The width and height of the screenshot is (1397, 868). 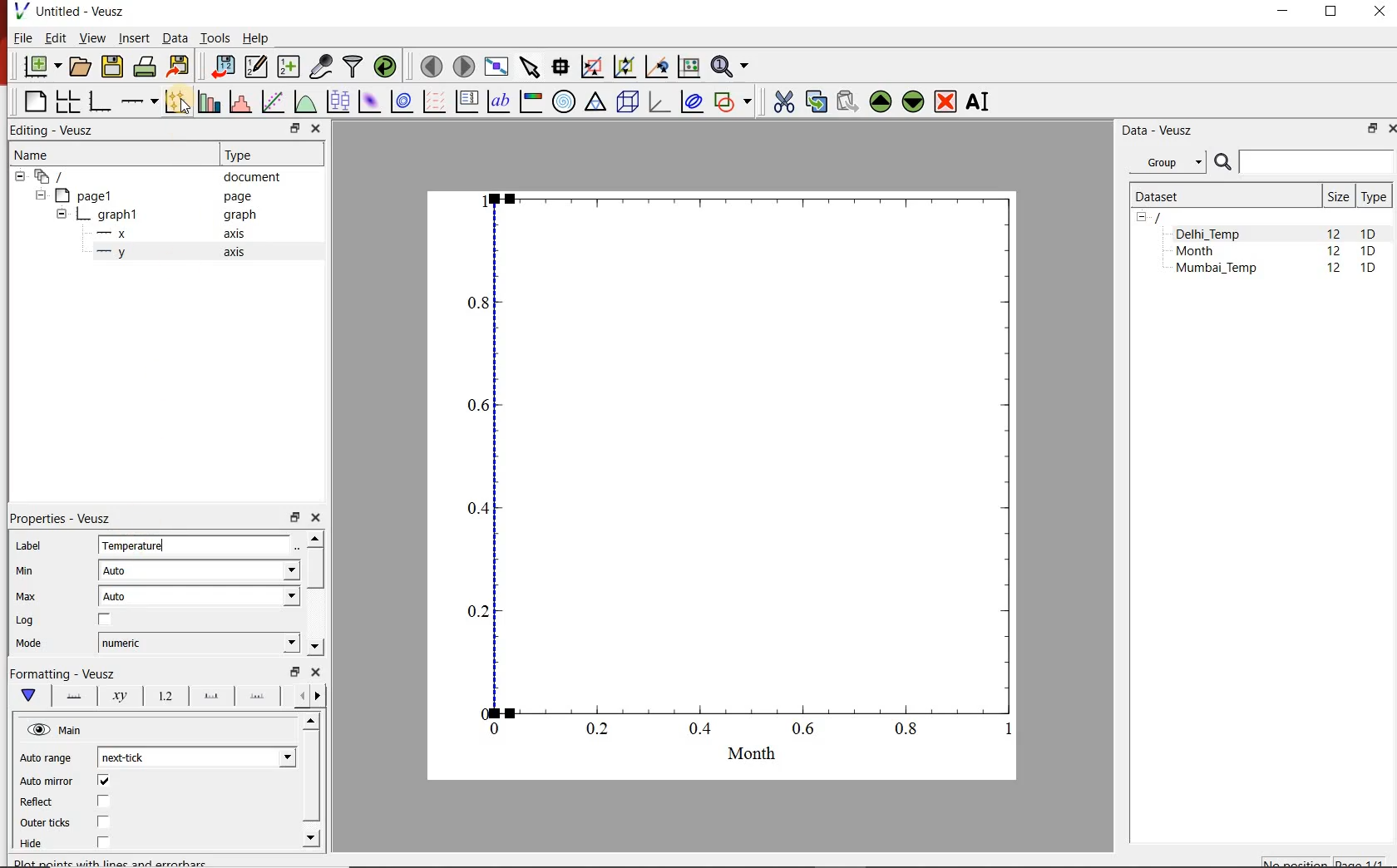 I want to click on arrange graphs in a grid, so click(x=67, y=101).